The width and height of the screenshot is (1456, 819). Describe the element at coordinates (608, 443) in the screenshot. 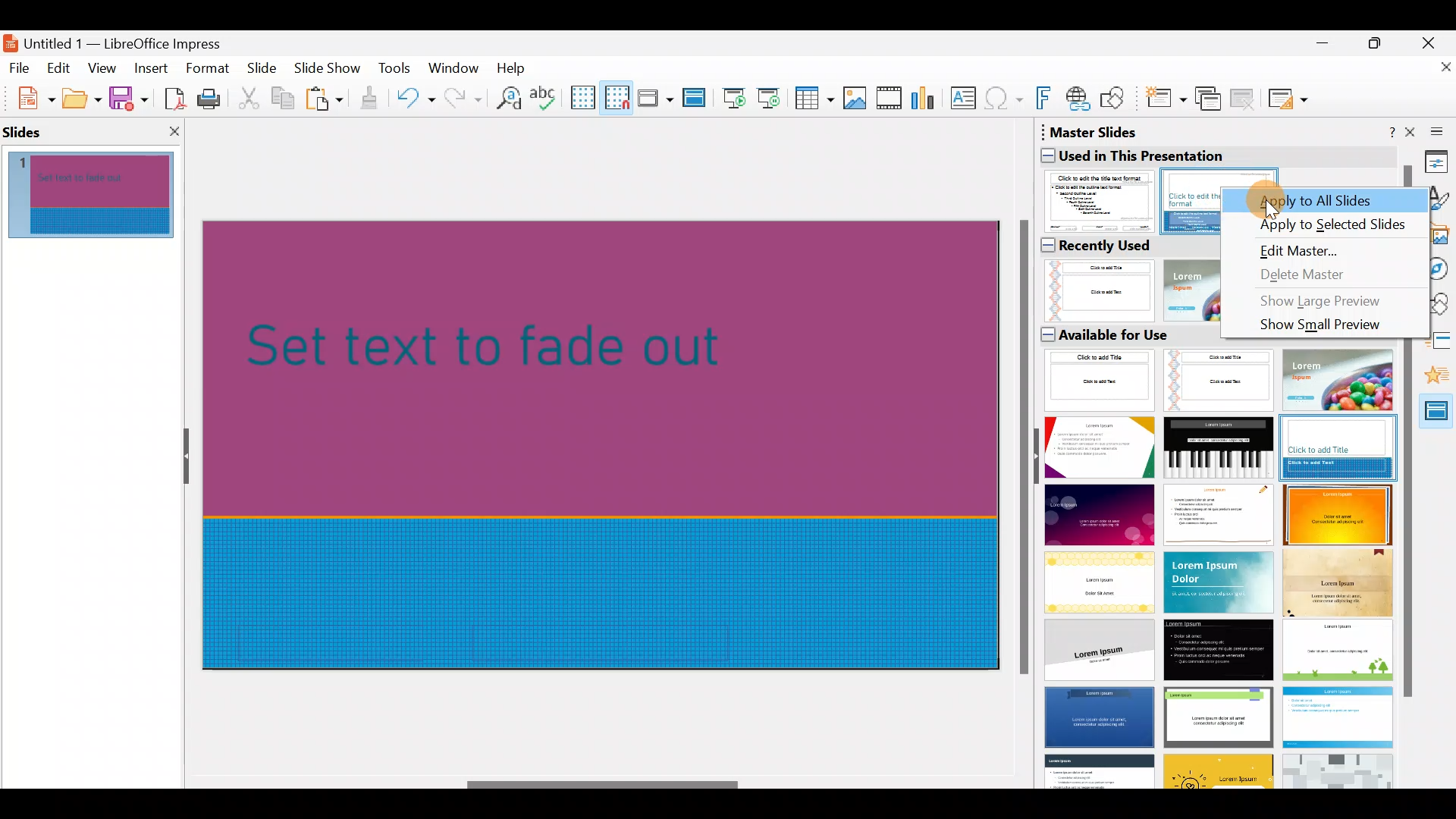

I see `Presentation slide` at that location.